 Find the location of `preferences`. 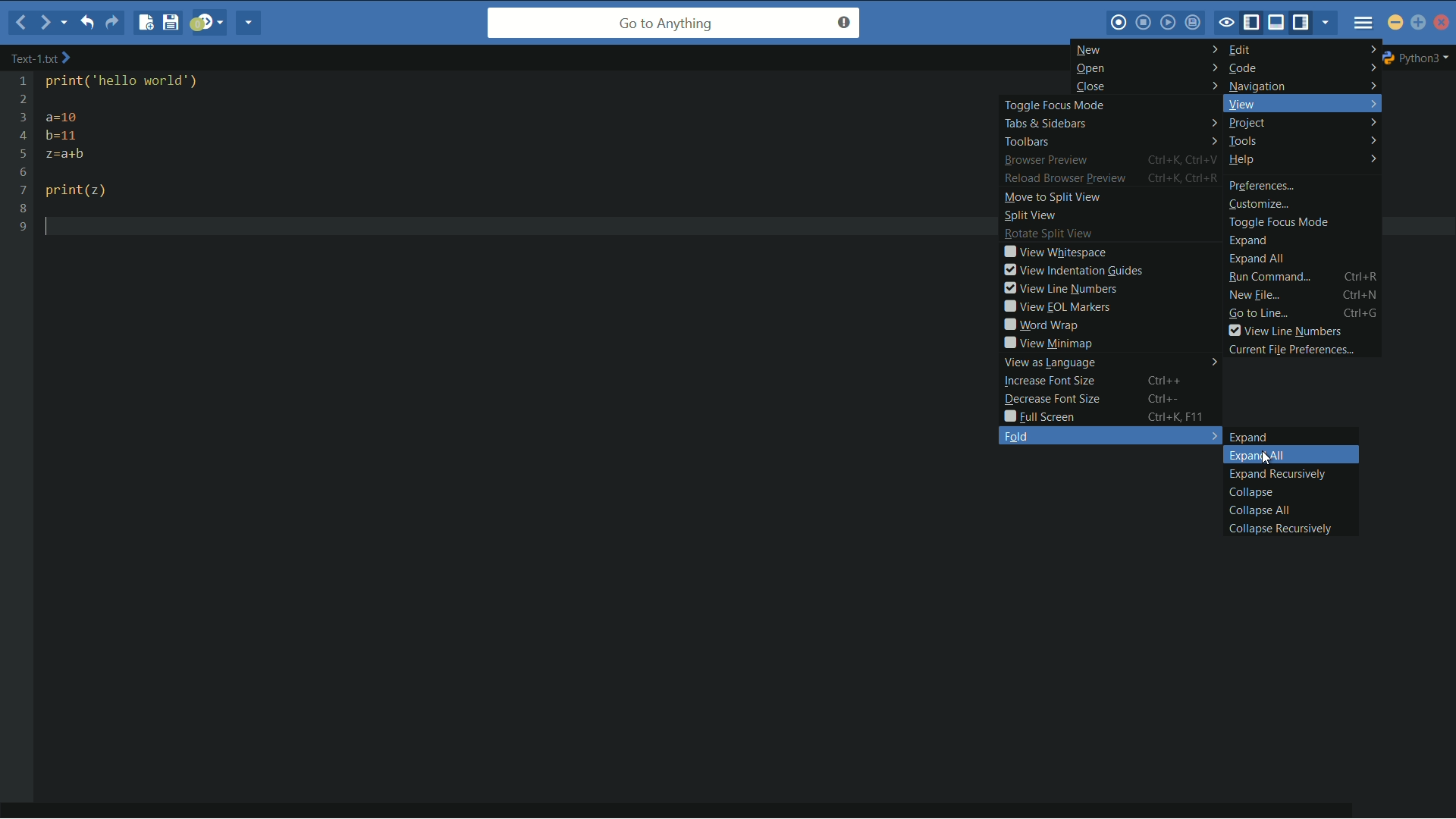

preferences is located at coordinates (1262, 185).